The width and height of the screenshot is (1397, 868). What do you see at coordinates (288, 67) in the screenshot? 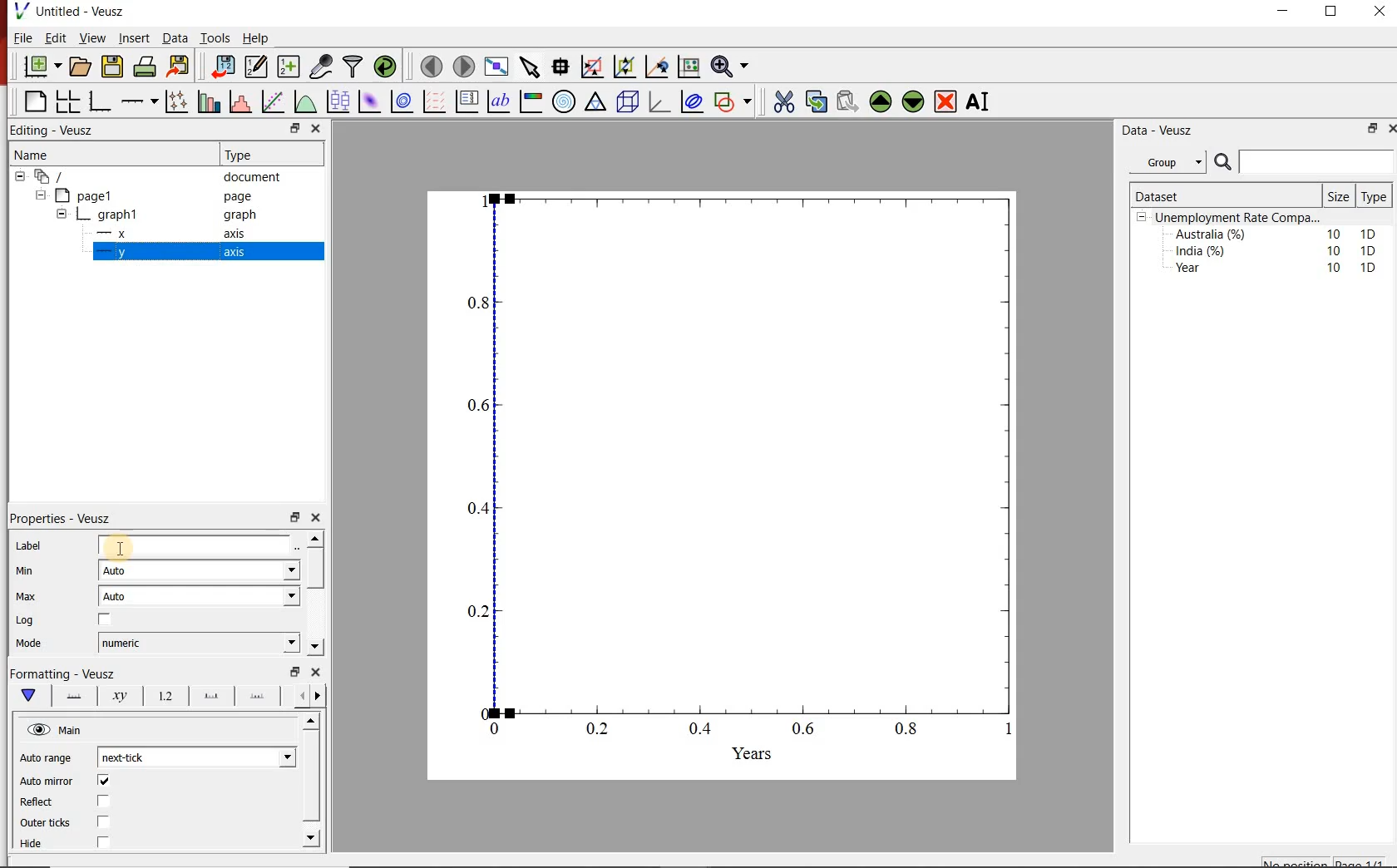
I see `create new datasets` at bounding box center [288, 67].